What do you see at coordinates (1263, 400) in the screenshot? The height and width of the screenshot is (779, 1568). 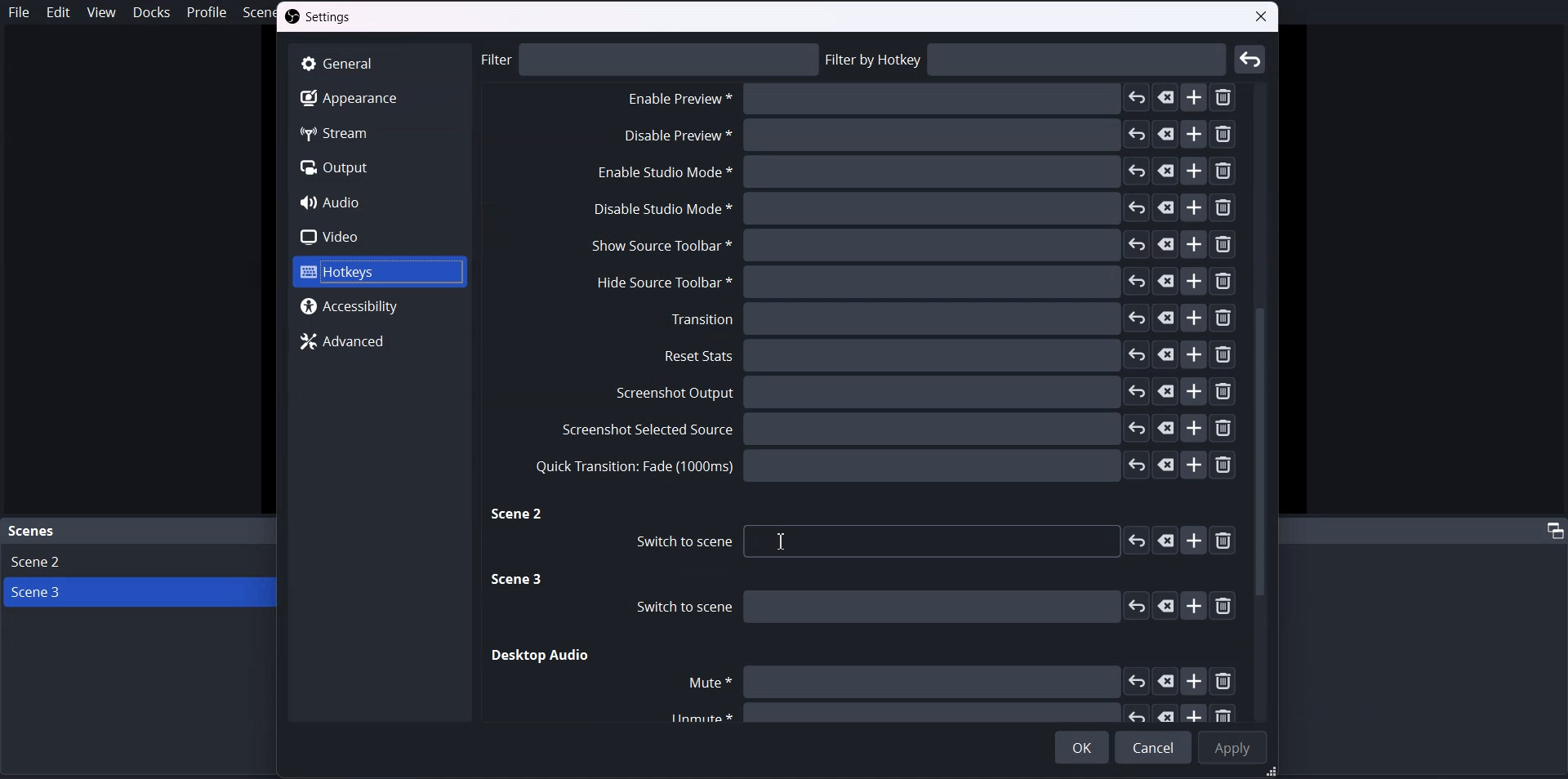 I see `Vertical scroll bar` at bounding box center [1263, 400].